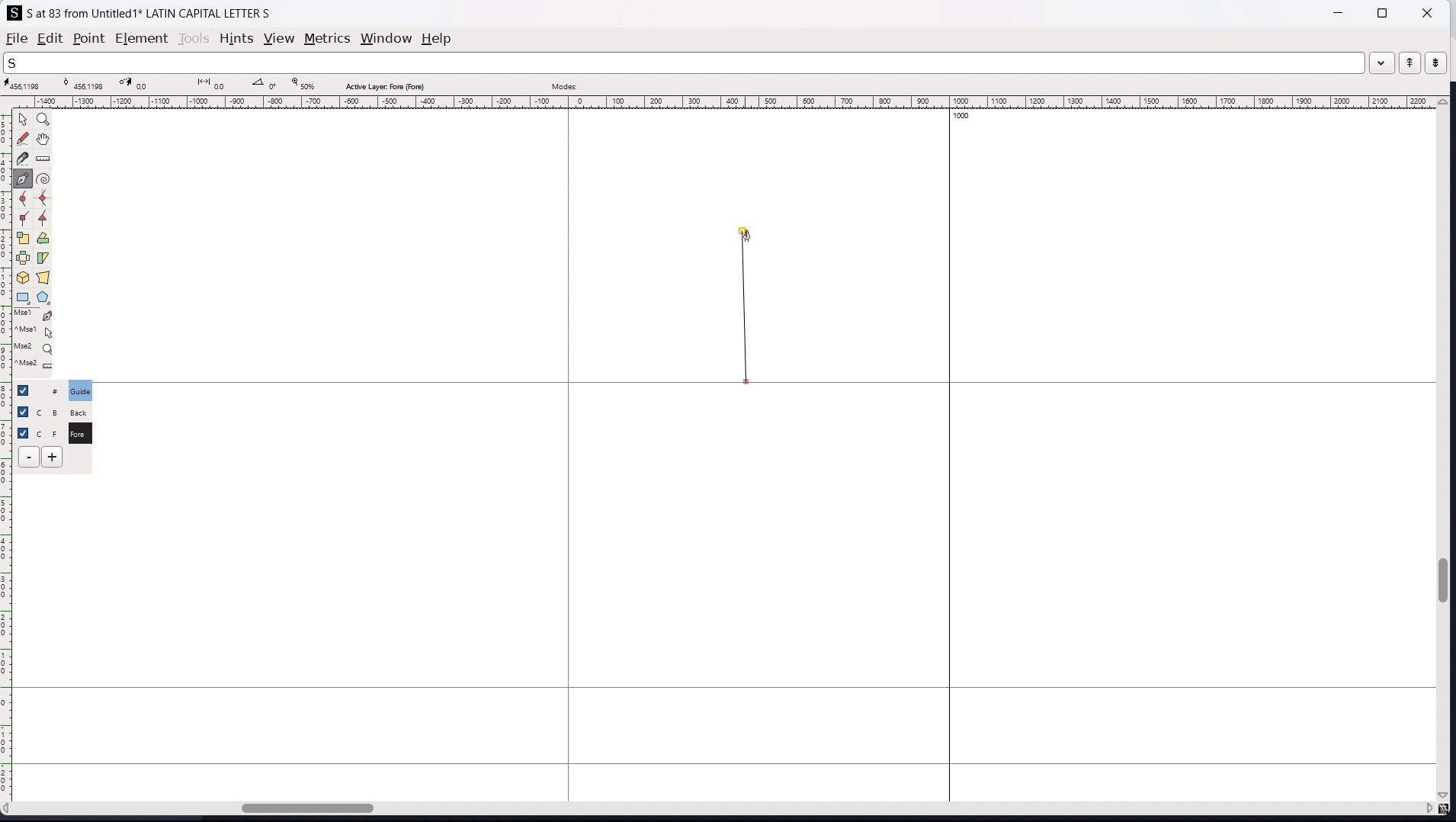 The height and width of the screenshot is (822, 1456). I want to click on logo, so click(14, 13).